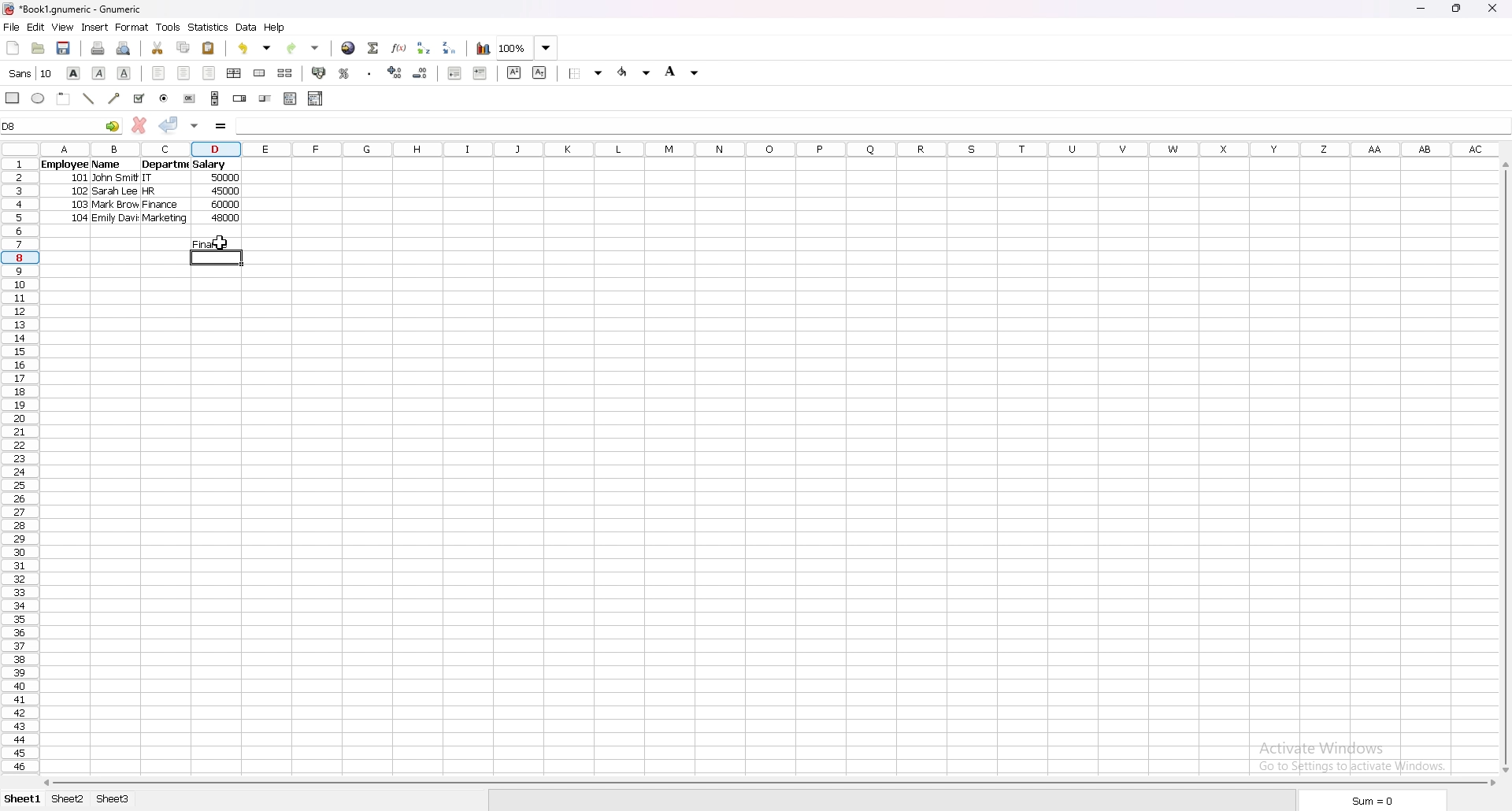 The width and height of the screenshot is (1512, 811). I want to click on list, so click(291, 98).